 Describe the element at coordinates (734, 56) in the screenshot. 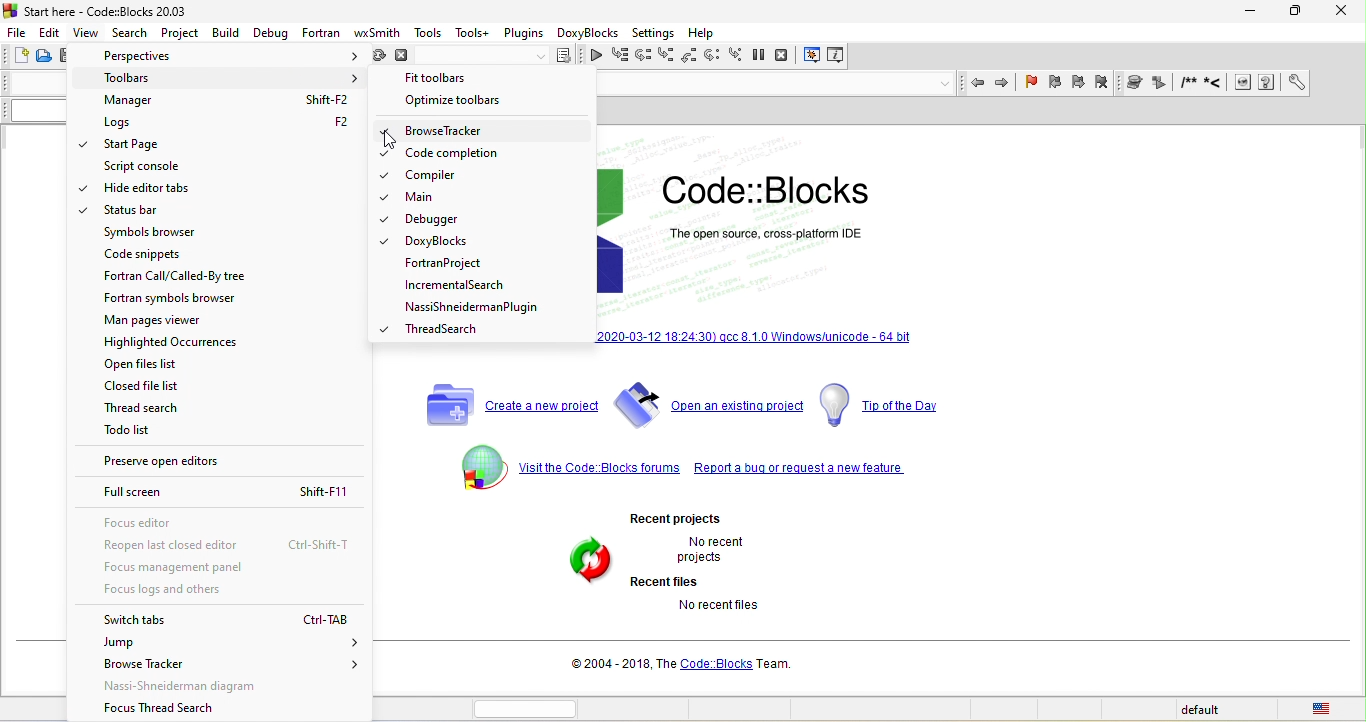

I see `step into instruction` at that location.